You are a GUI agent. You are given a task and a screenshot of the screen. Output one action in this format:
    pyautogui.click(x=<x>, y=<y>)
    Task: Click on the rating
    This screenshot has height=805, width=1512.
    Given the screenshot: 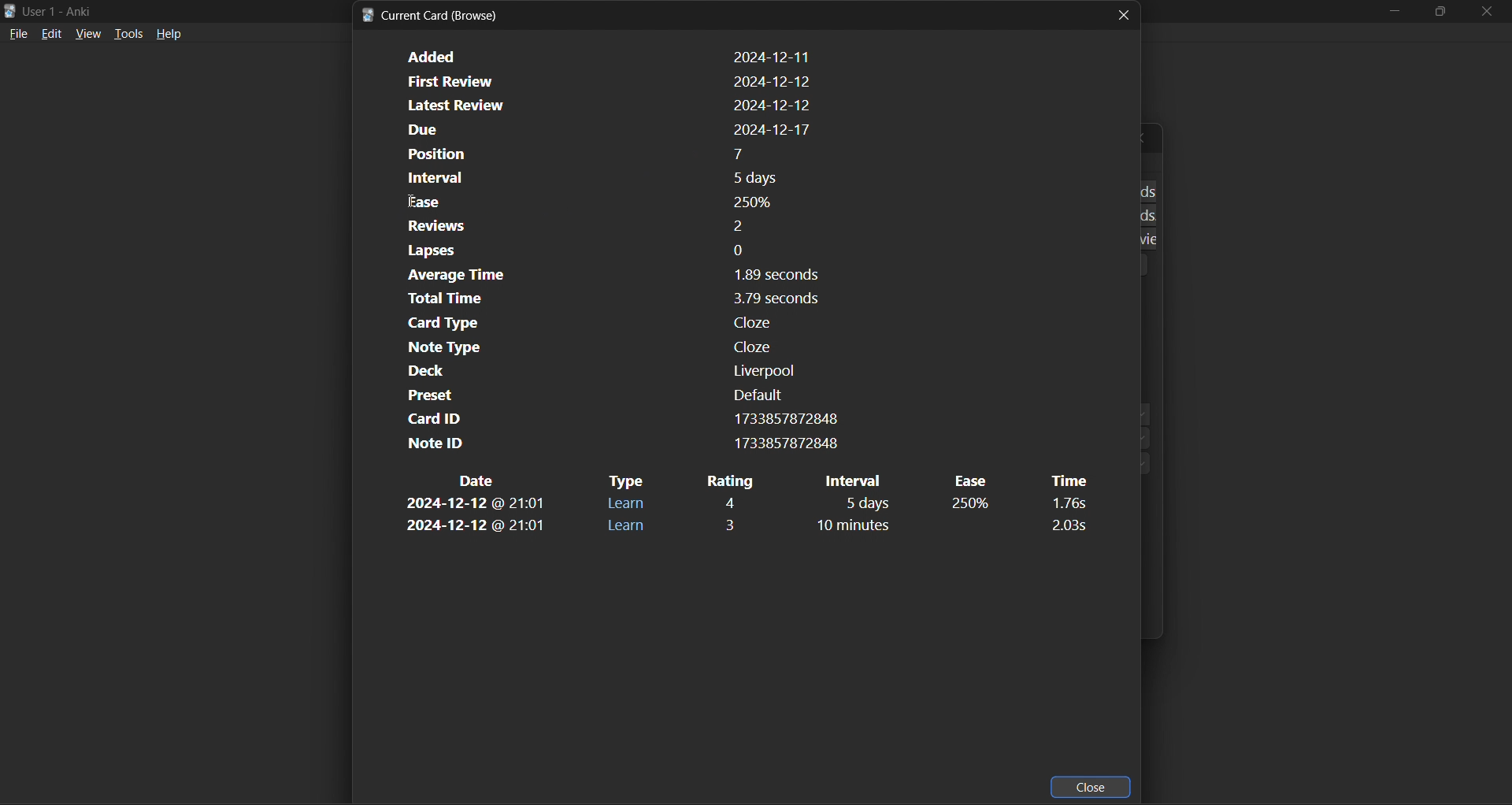 What is the action you would take?
    pyautogui.click(x=732, y=503)
    